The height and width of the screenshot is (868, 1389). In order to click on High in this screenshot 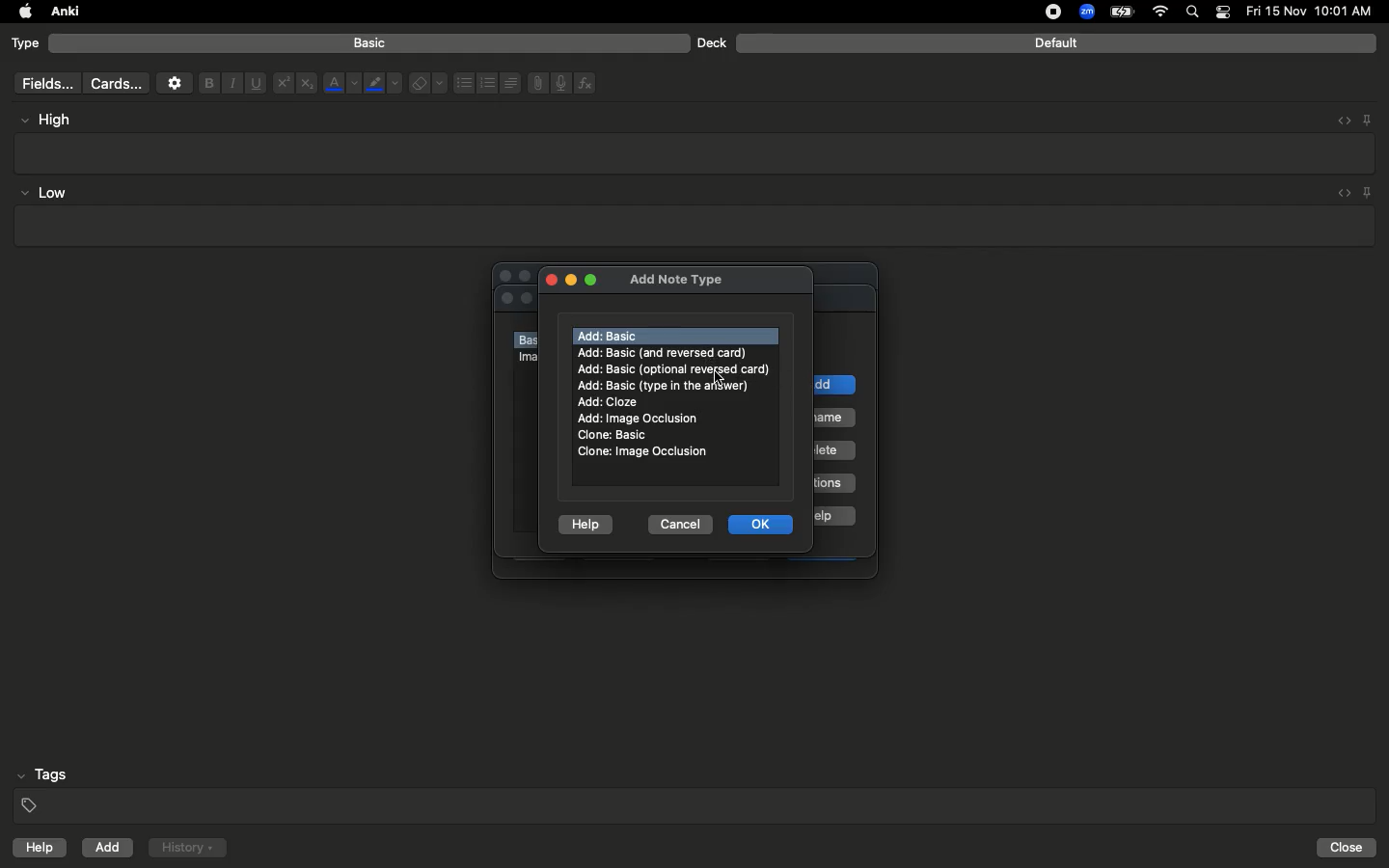, I will do `click(54, 120)`.